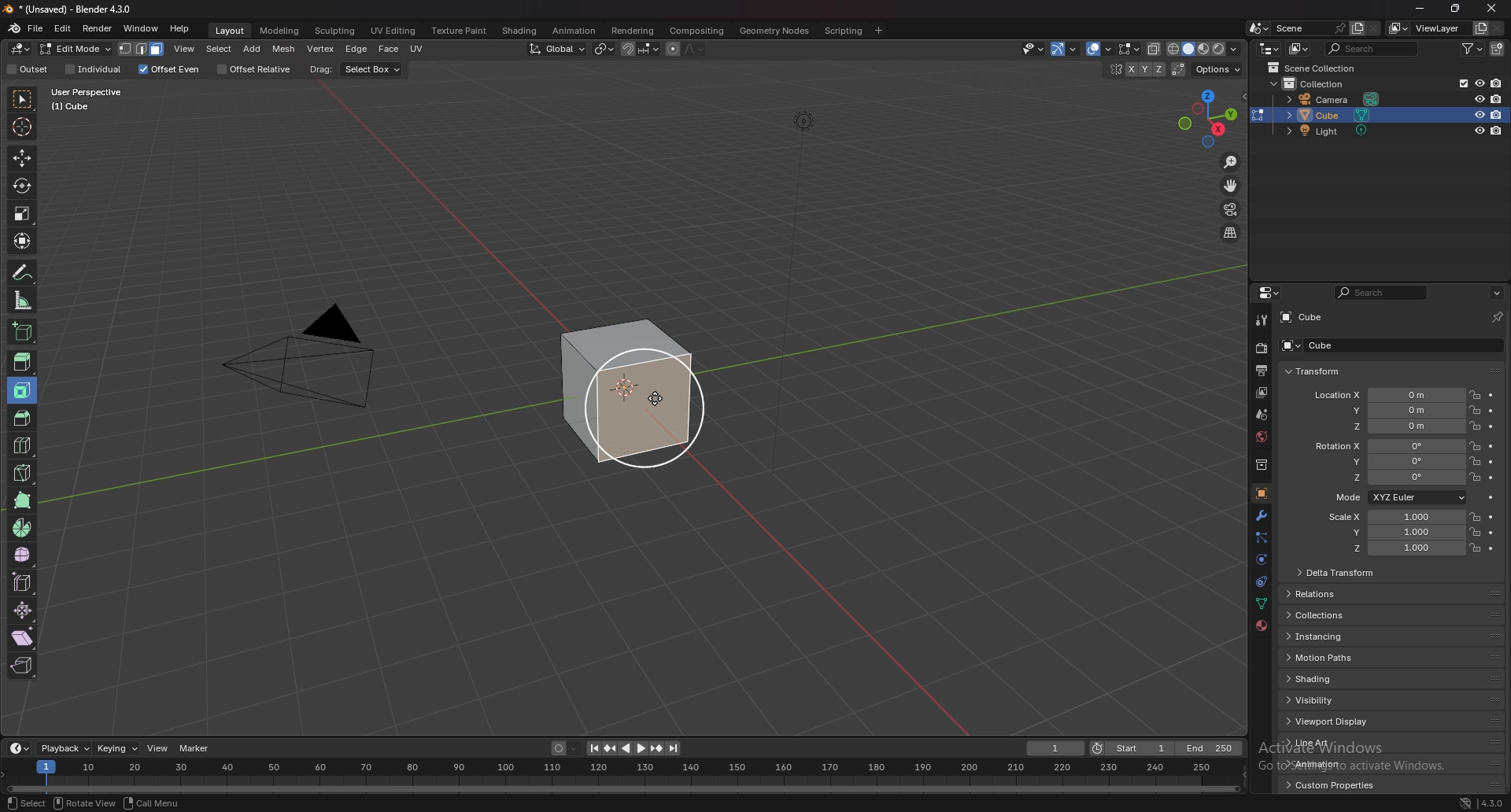 Image resolution: width=1511 pixels, height=812 pixels. I want to click on animation, so click(574, 31).